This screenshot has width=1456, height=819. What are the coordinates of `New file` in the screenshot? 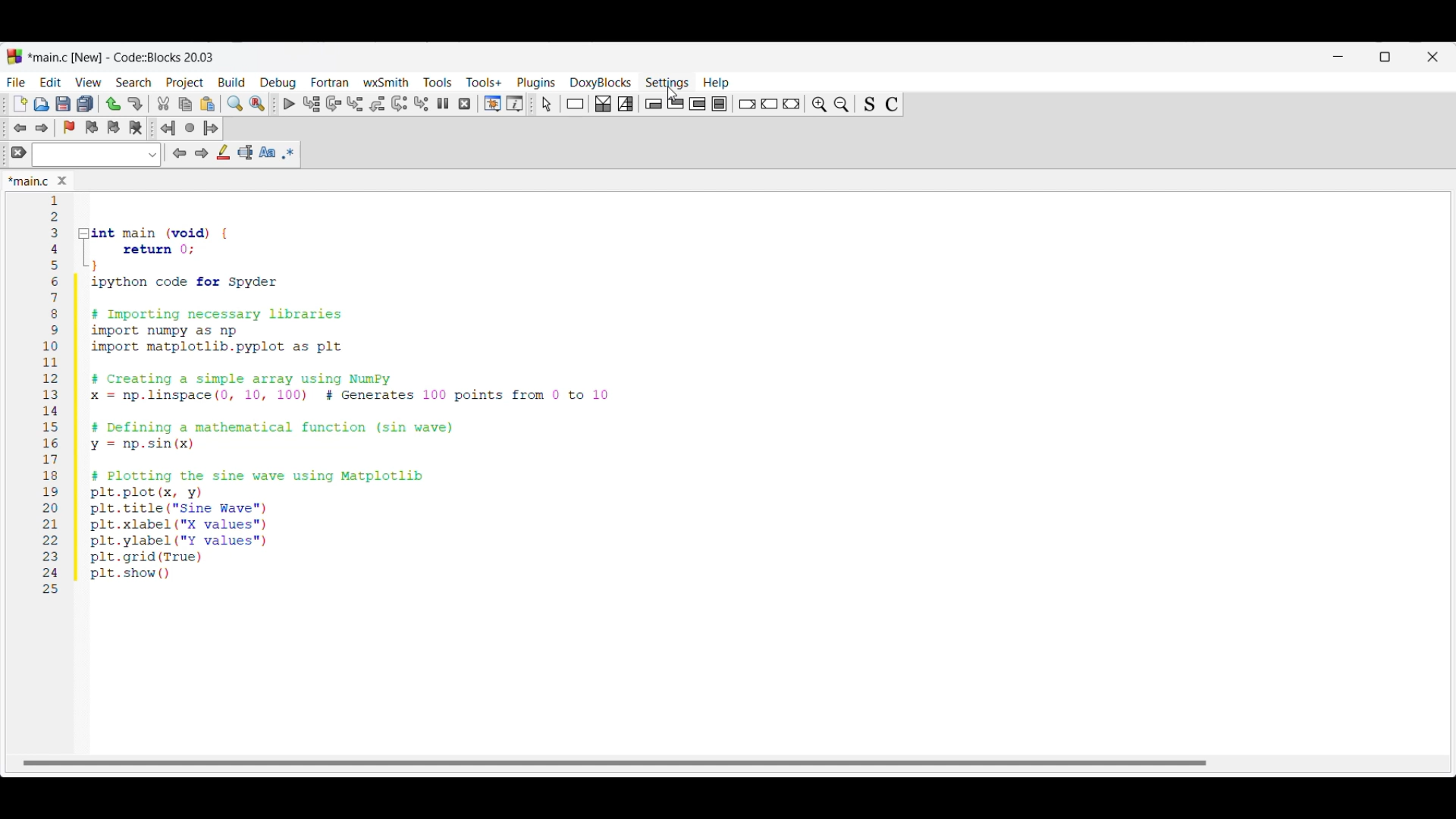 It's located at (20, 104).